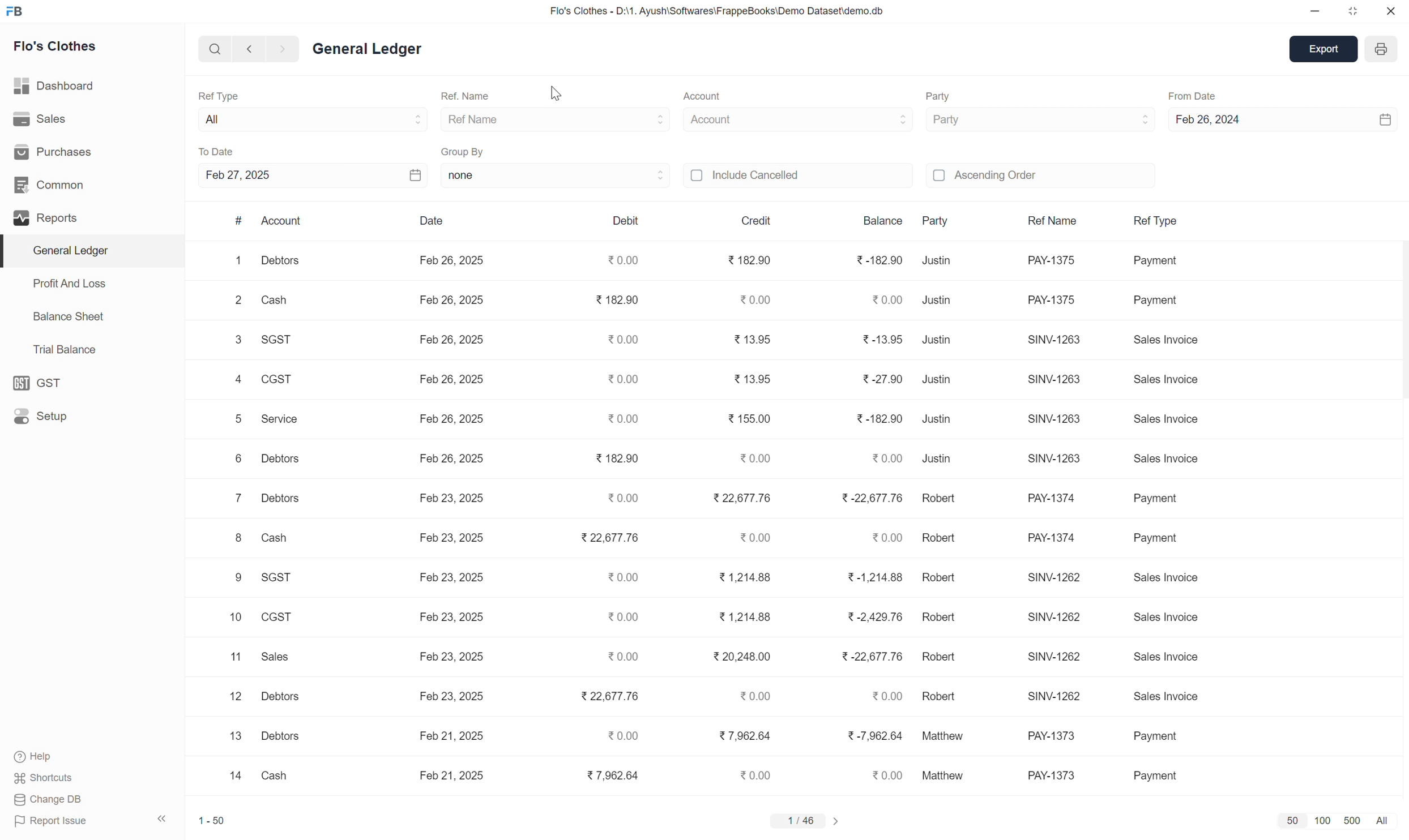 This screenshot has width=1409, height=840. Describe the element at coordinates (743, 657) in the screenshot. I see `20,248.00` at that location.